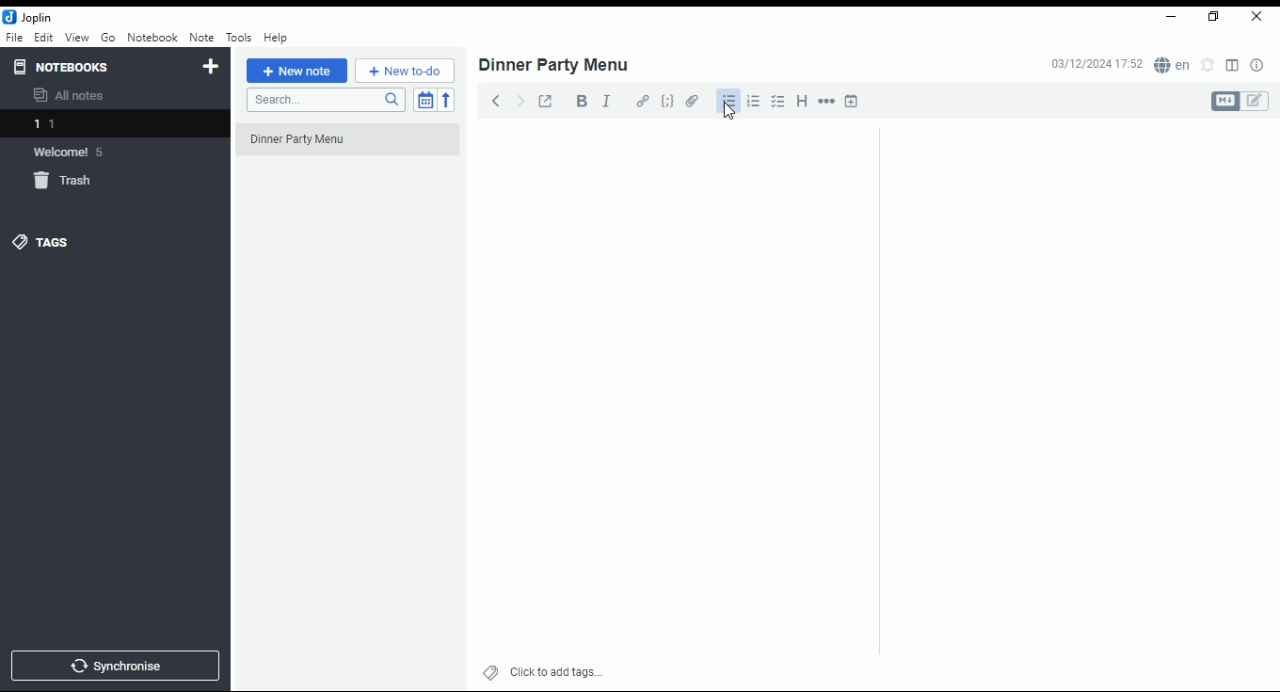 This screenshot has height=692, width=1280. Describe the element at coordinates (1171, 65) in the screenshot. I see `spell check` at that location.